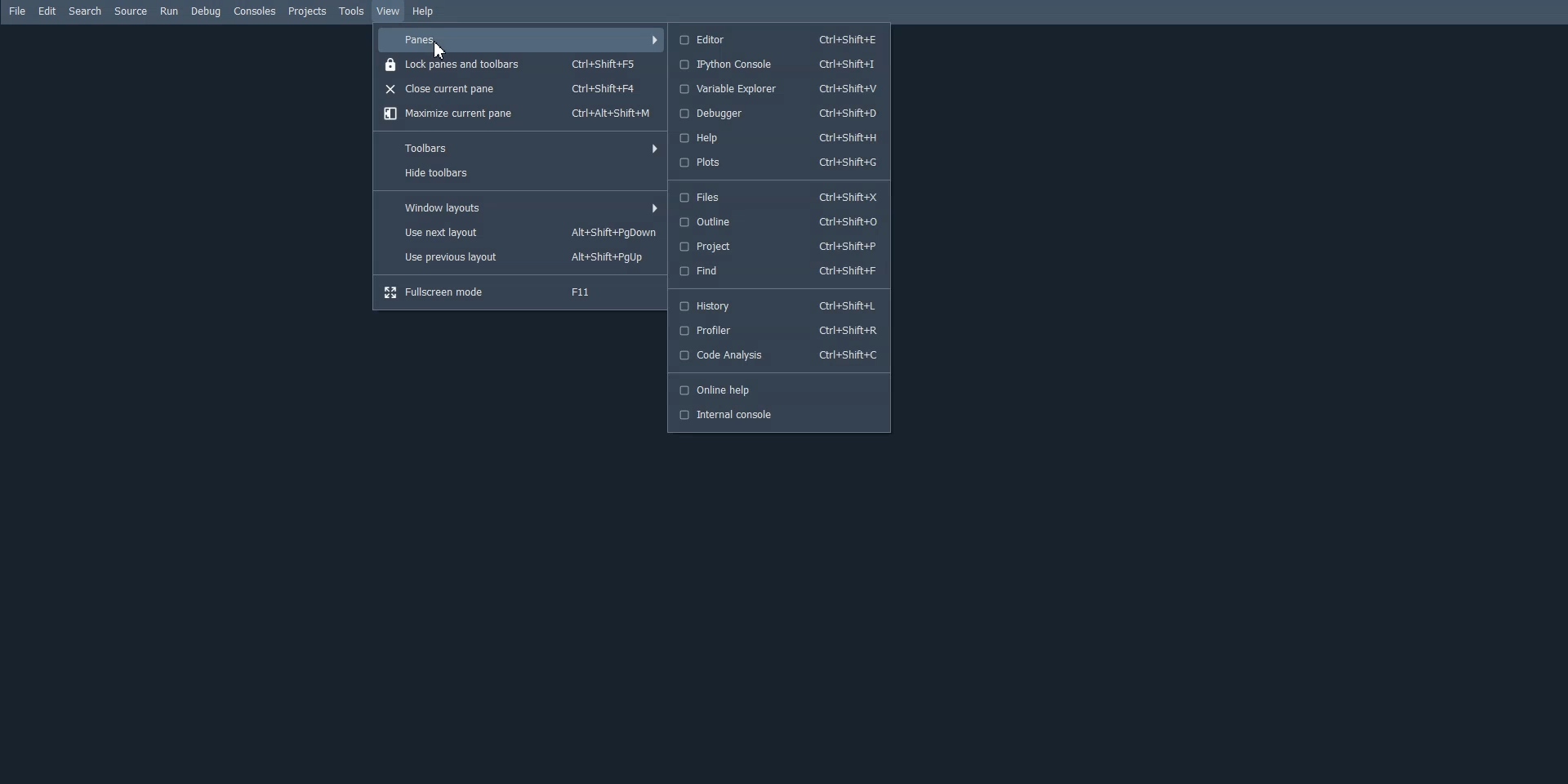 The image size is (1568, 784). Describe the element at coordinates (777, 138) in the screenshot. I see `Help` at that location.